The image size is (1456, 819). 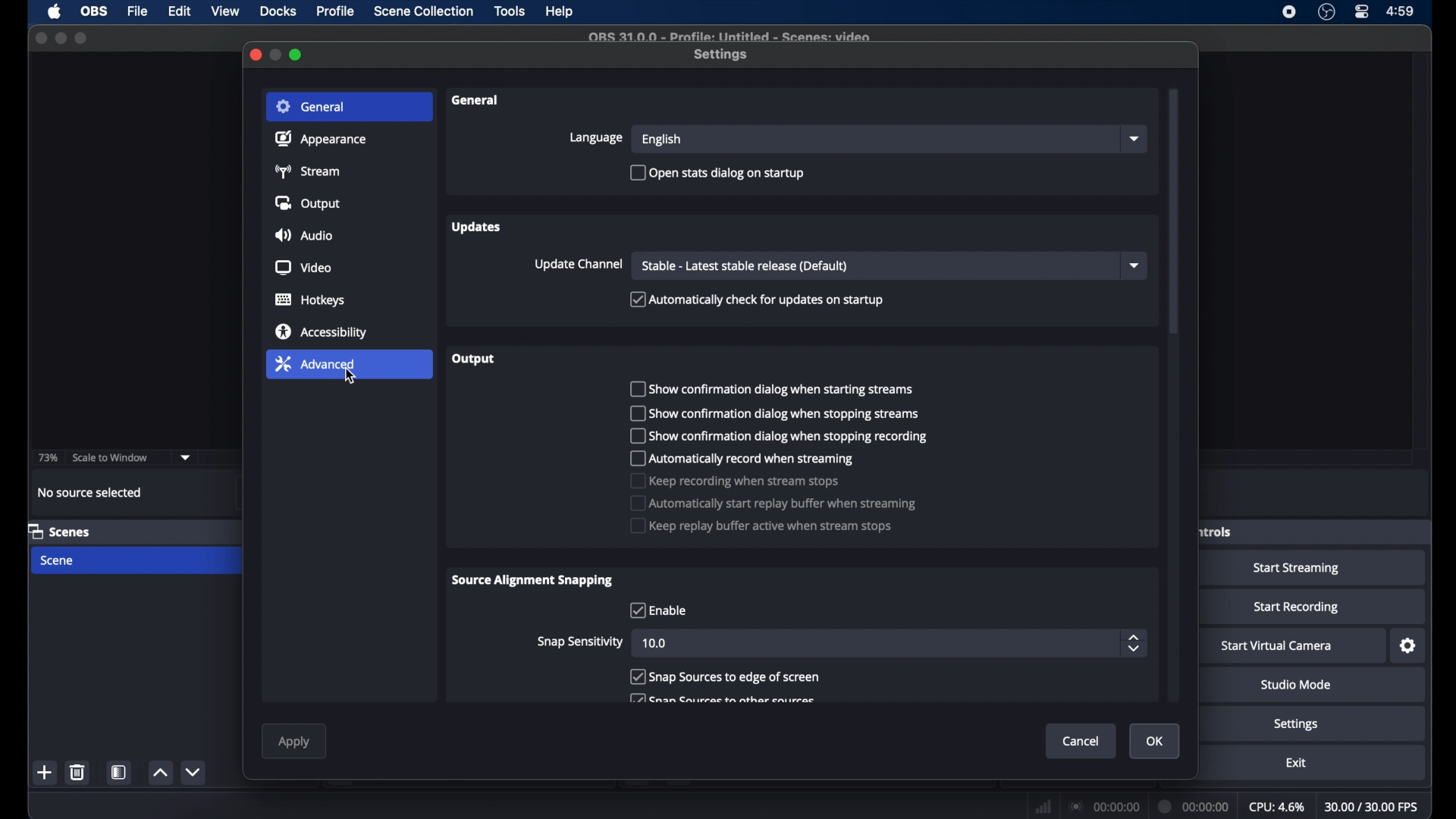 What do you see at coordinates (422, 11) in the screenshot?
I see `scene collection` at bounding box center [422, 11].